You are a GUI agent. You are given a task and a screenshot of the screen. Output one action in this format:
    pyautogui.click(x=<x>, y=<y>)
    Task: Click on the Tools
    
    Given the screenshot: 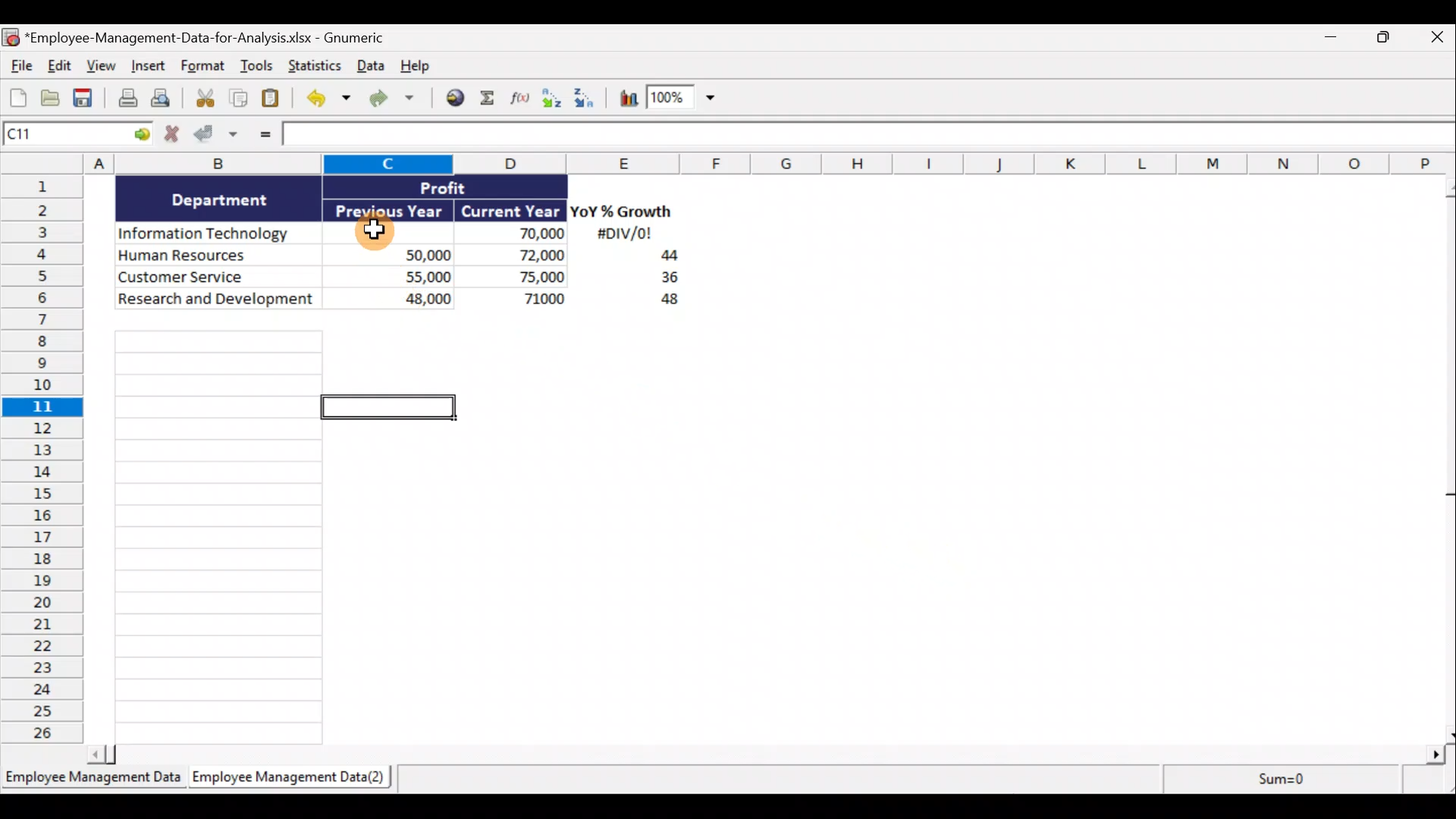 What is the action you would take?
    pyautogui.click(x=257, y=67)
    